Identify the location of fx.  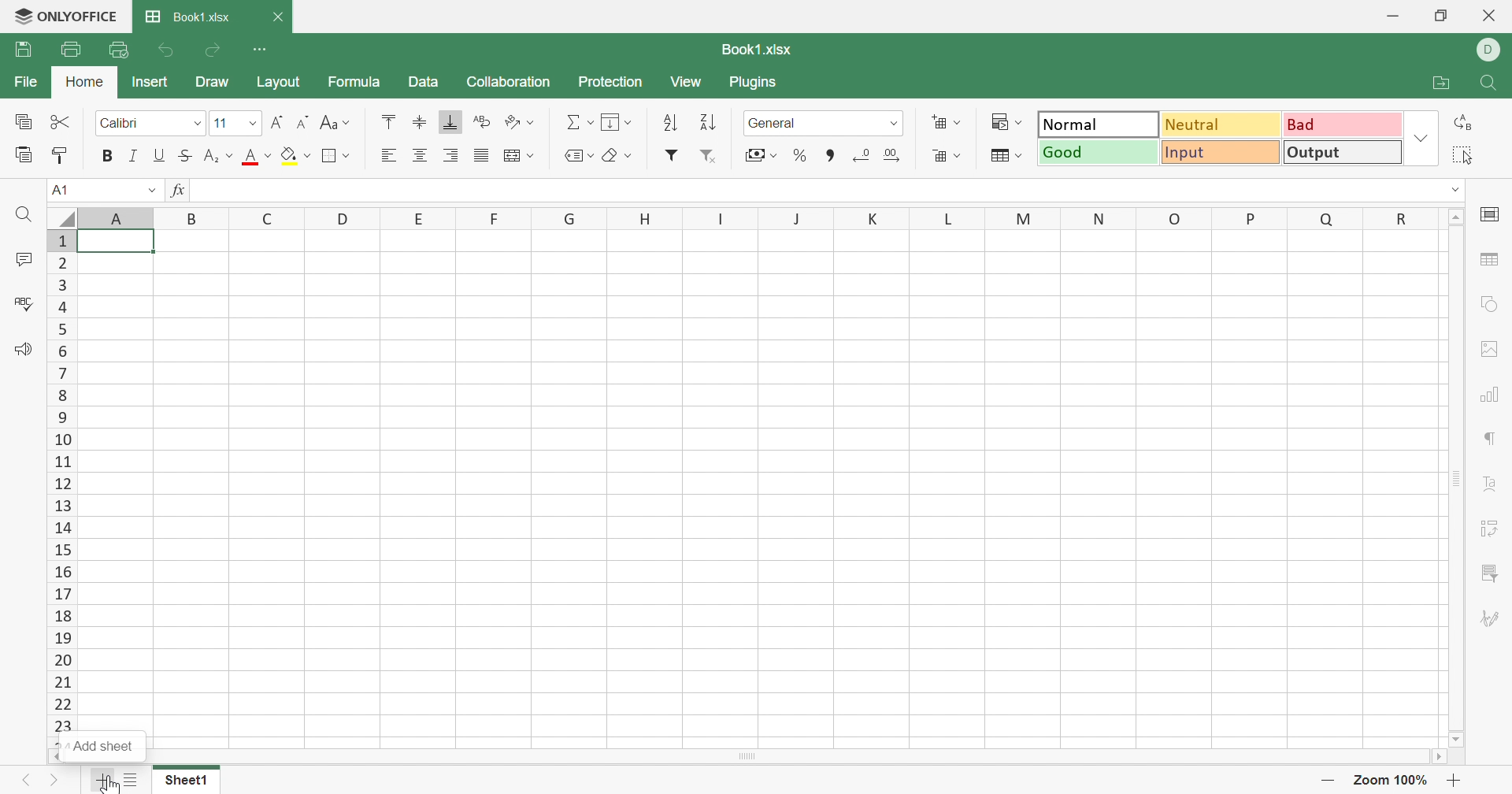
(179, 189).